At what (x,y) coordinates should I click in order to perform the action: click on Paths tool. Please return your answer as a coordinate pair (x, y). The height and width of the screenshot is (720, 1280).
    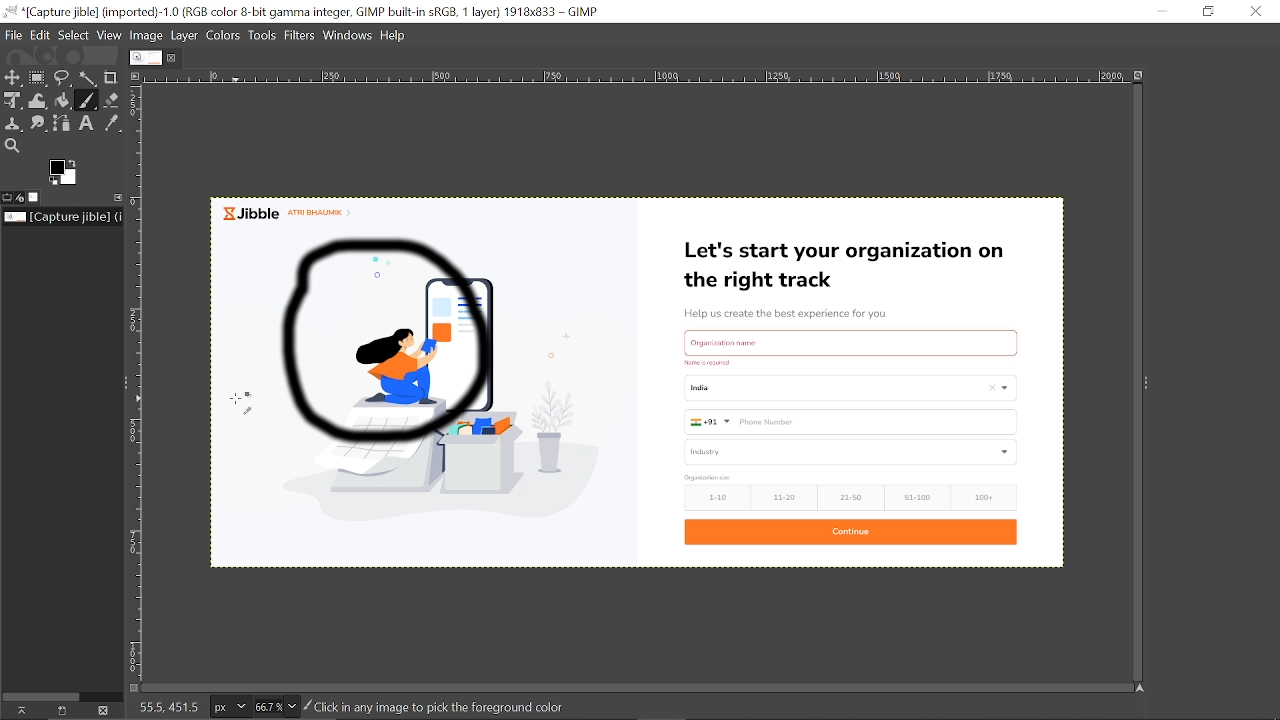
    Looking at the image, I should click on (64, 124).